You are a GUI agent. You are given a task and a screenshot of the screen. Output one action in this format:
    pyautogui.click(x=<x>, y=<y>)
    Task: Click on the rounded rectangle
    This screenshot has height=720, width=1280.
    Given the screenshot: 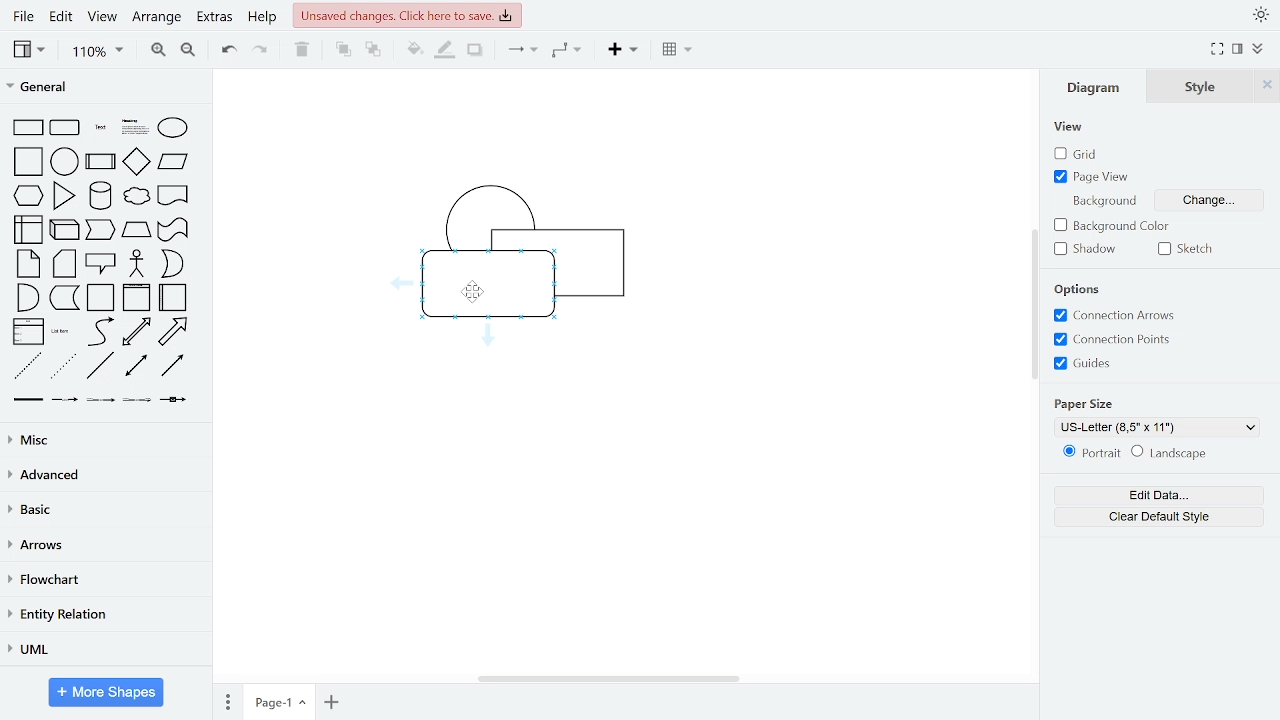 What is the action you would take?
    pyautogui.click(x=65, y=128)
    